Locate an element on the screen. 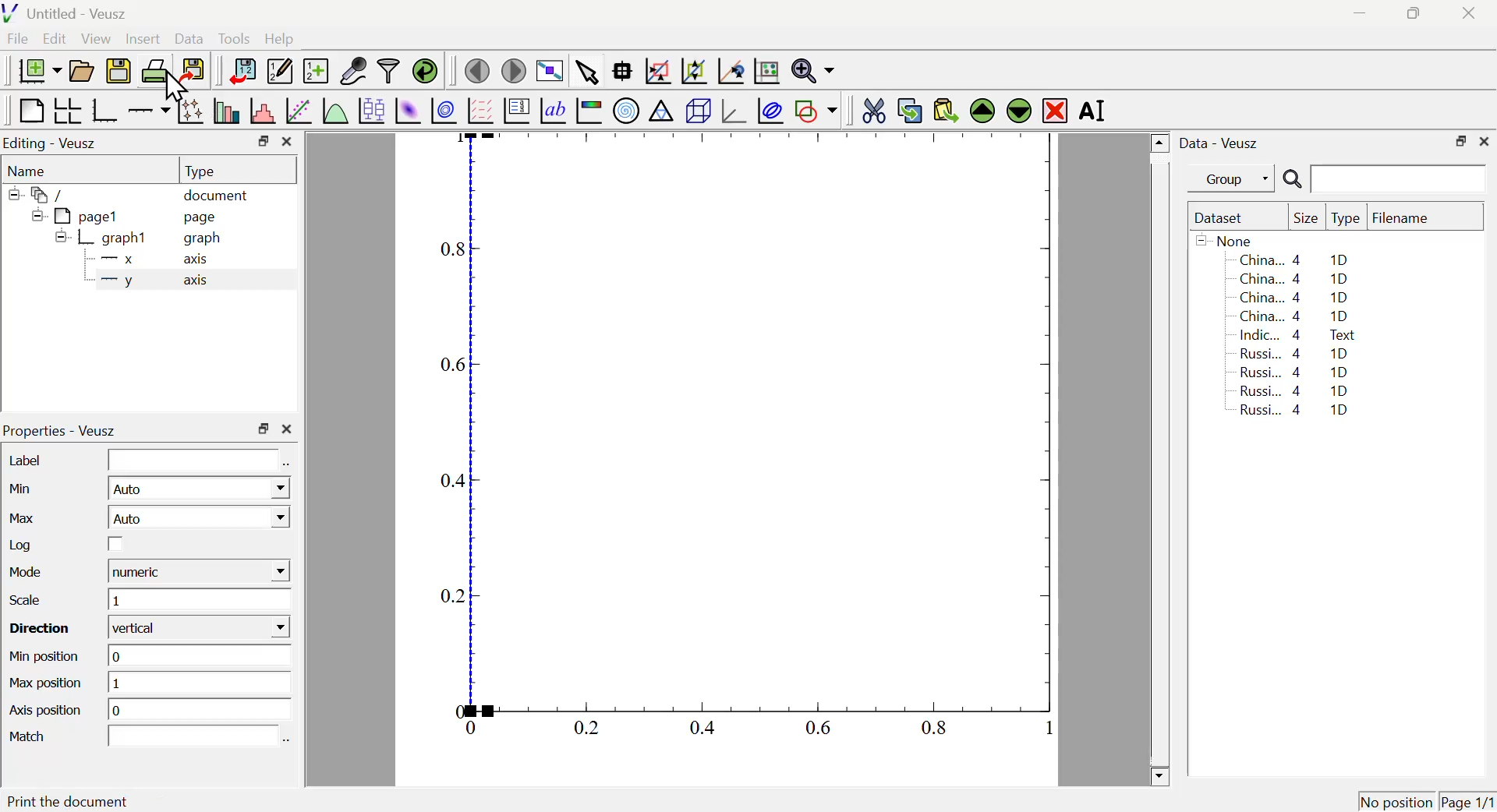 This screenshot has width=1497, height=812. Russi... 4 1D is located at coordinates (1297, 411).